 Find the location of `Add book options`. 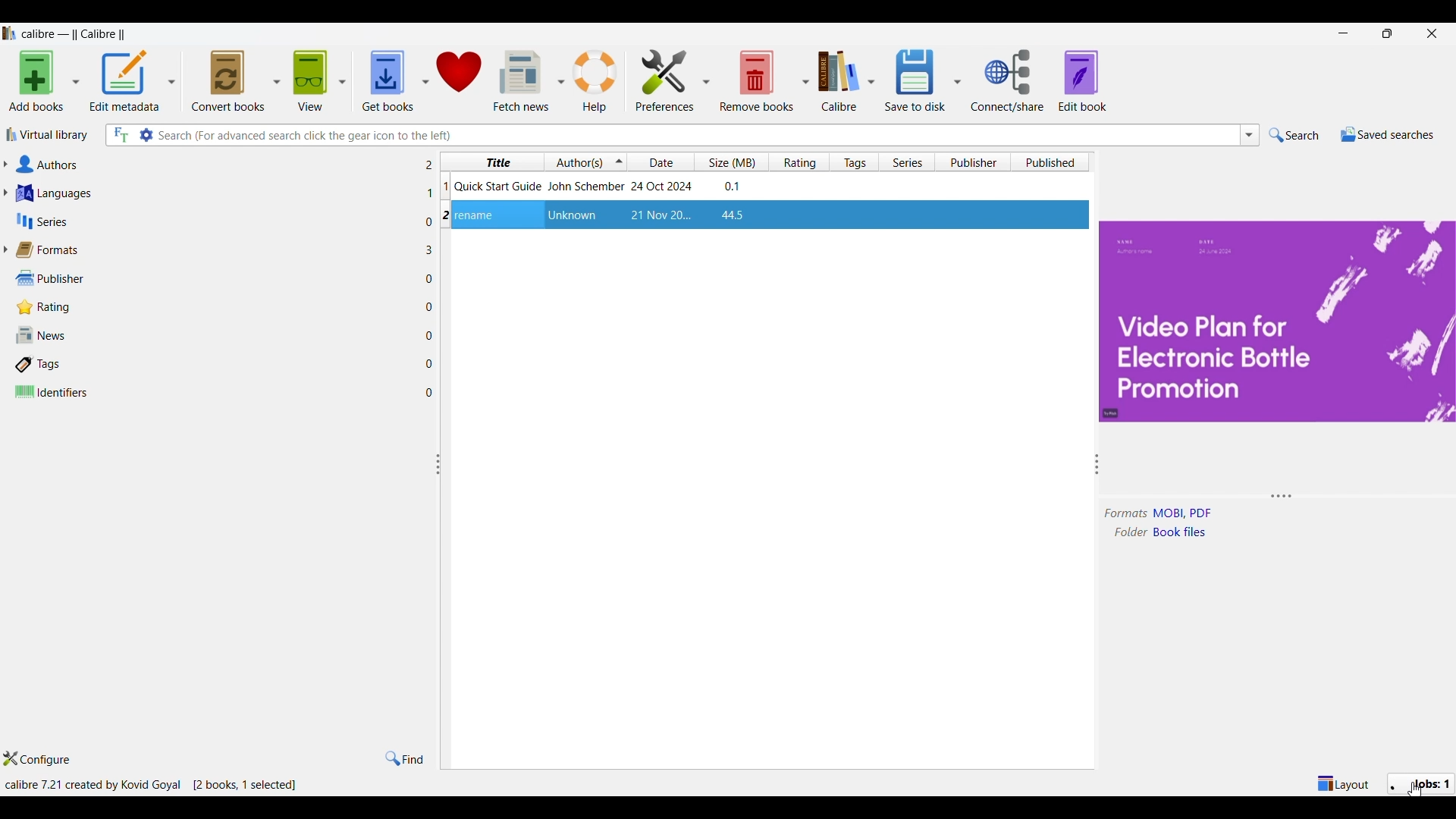

Add book options is located at coordinates (77, 82).